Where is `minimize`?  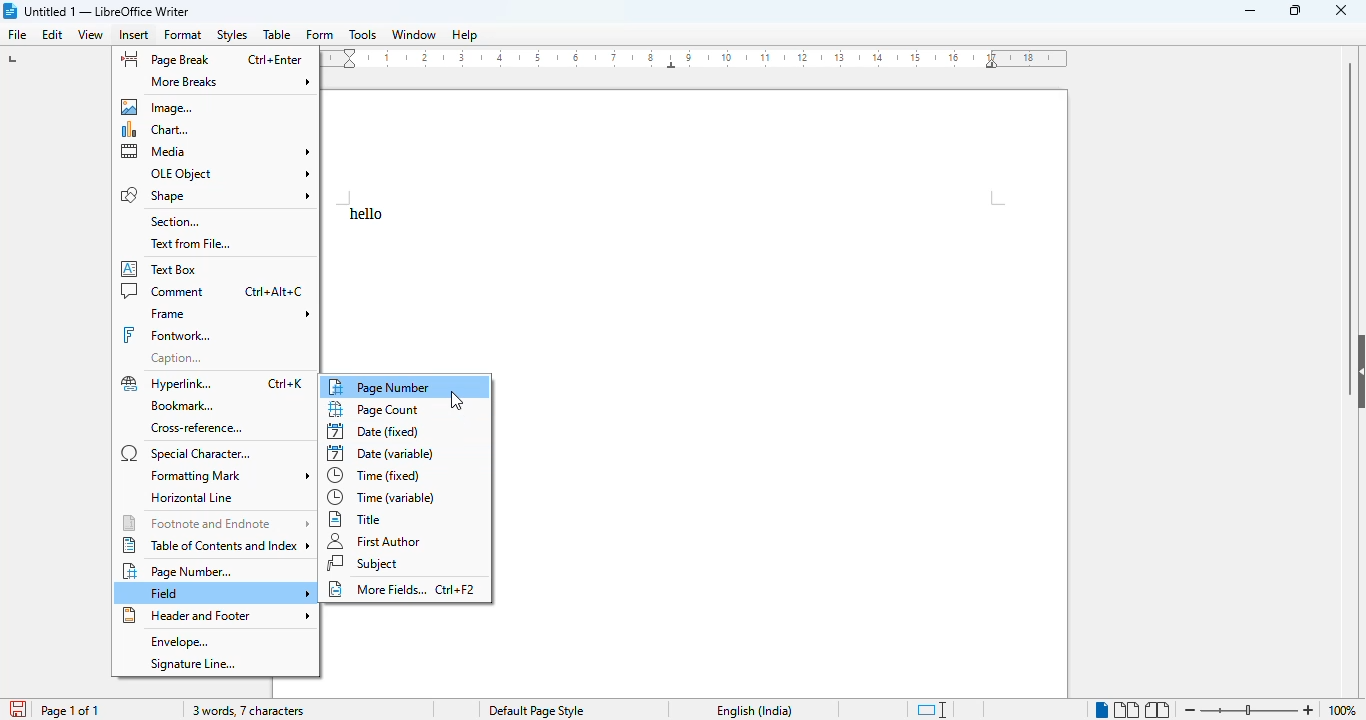 minimize is located at coordinates (1249, 11).